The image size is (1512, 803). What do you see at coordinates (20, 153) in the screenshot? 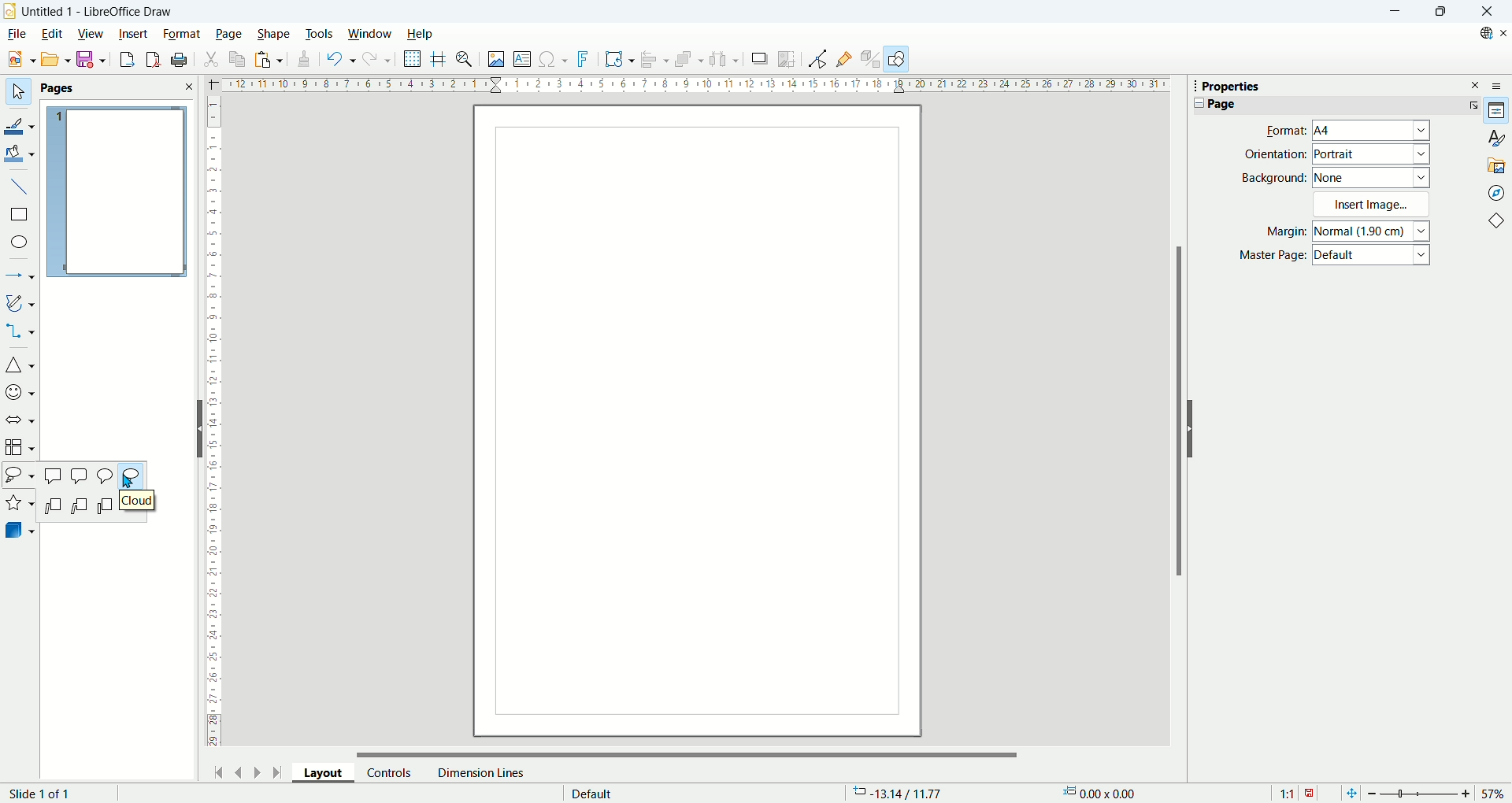
I see `fill color` at bounding box center [20, 153].